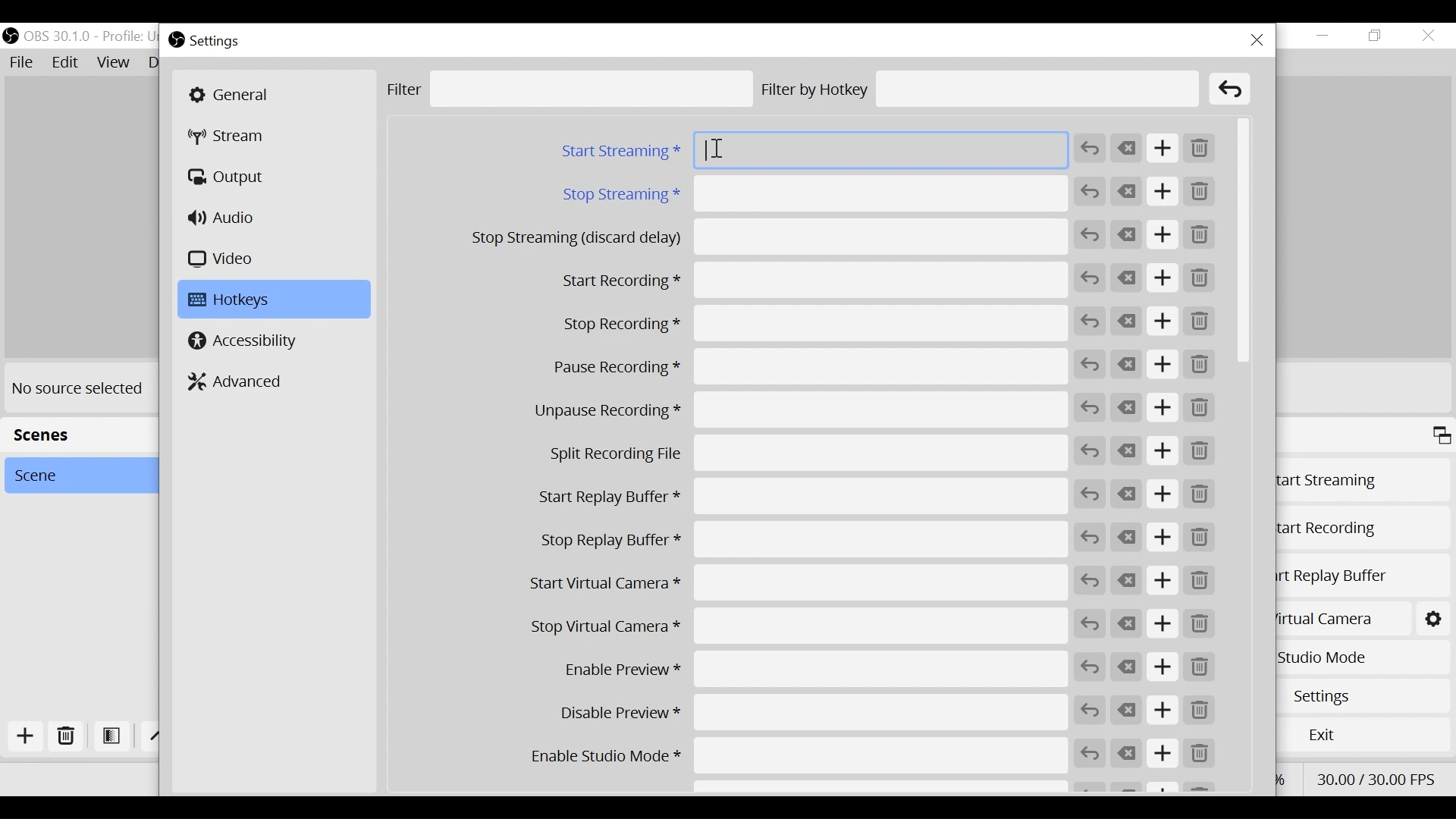 The height and width of the screenshot is (819, 1456). Describe the element at coordinates (1090, 450) in the screenshot. I see `Revert` at that location.